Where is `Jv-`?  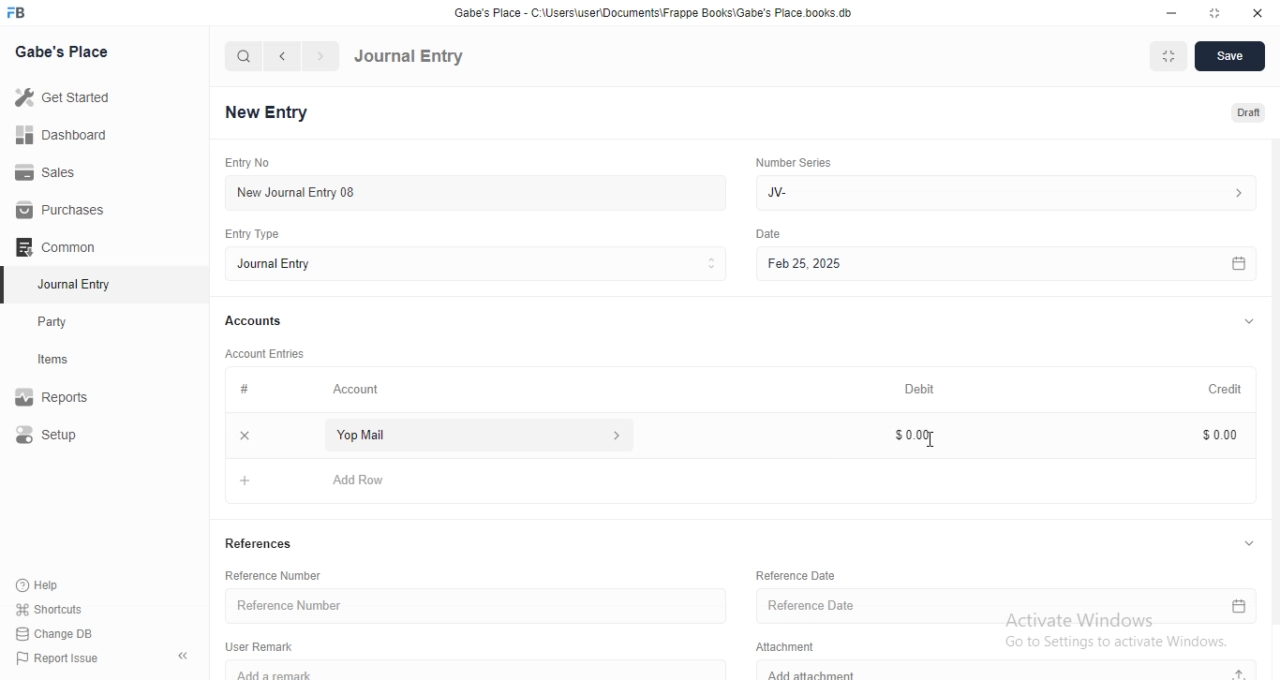 Jv- is located at coordinates (1010, 191).